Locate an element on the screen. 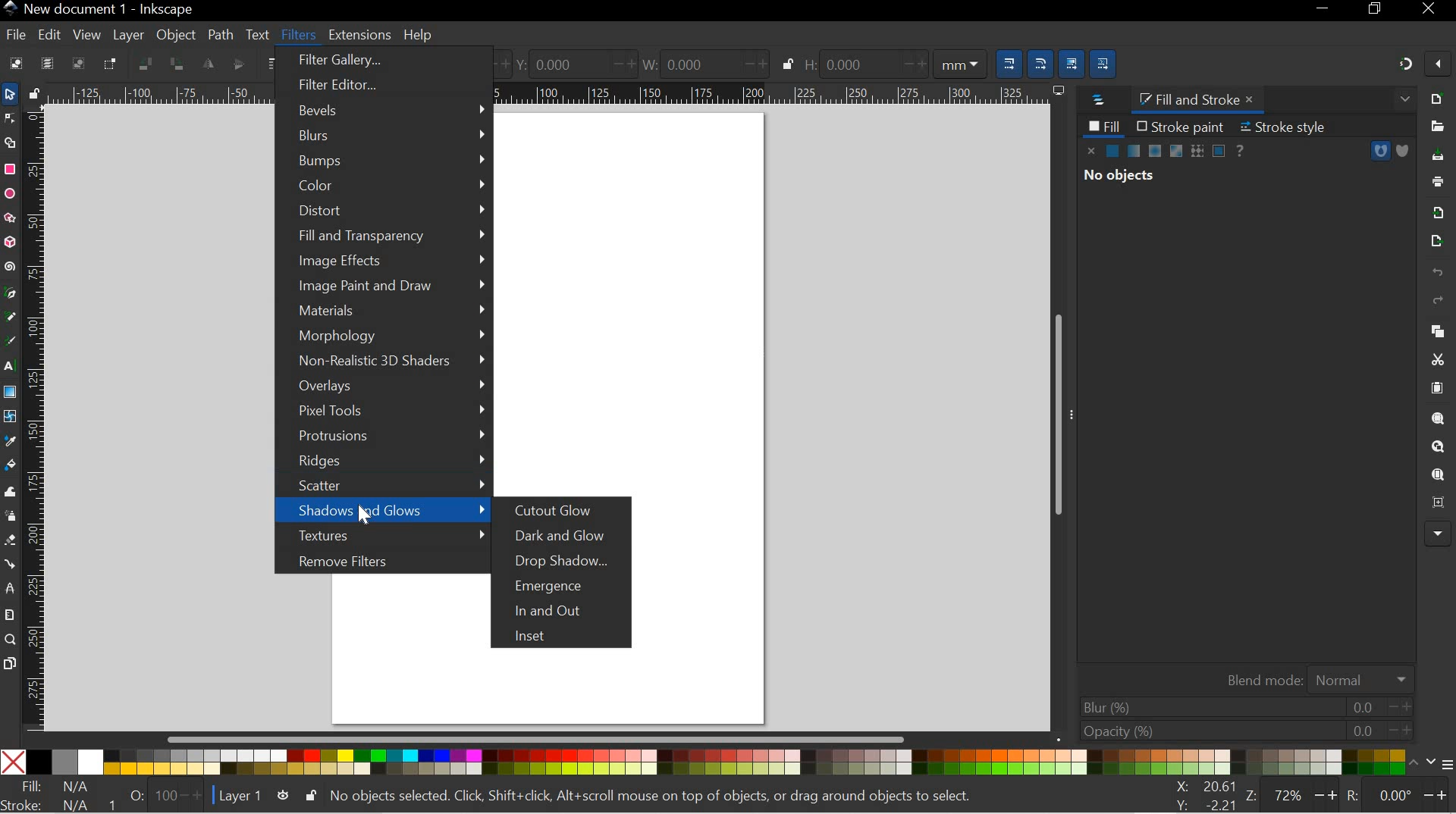 The width and height of the screenshot is (1456, 814). Image and Text Effects is located at coordinates (1438, 532).